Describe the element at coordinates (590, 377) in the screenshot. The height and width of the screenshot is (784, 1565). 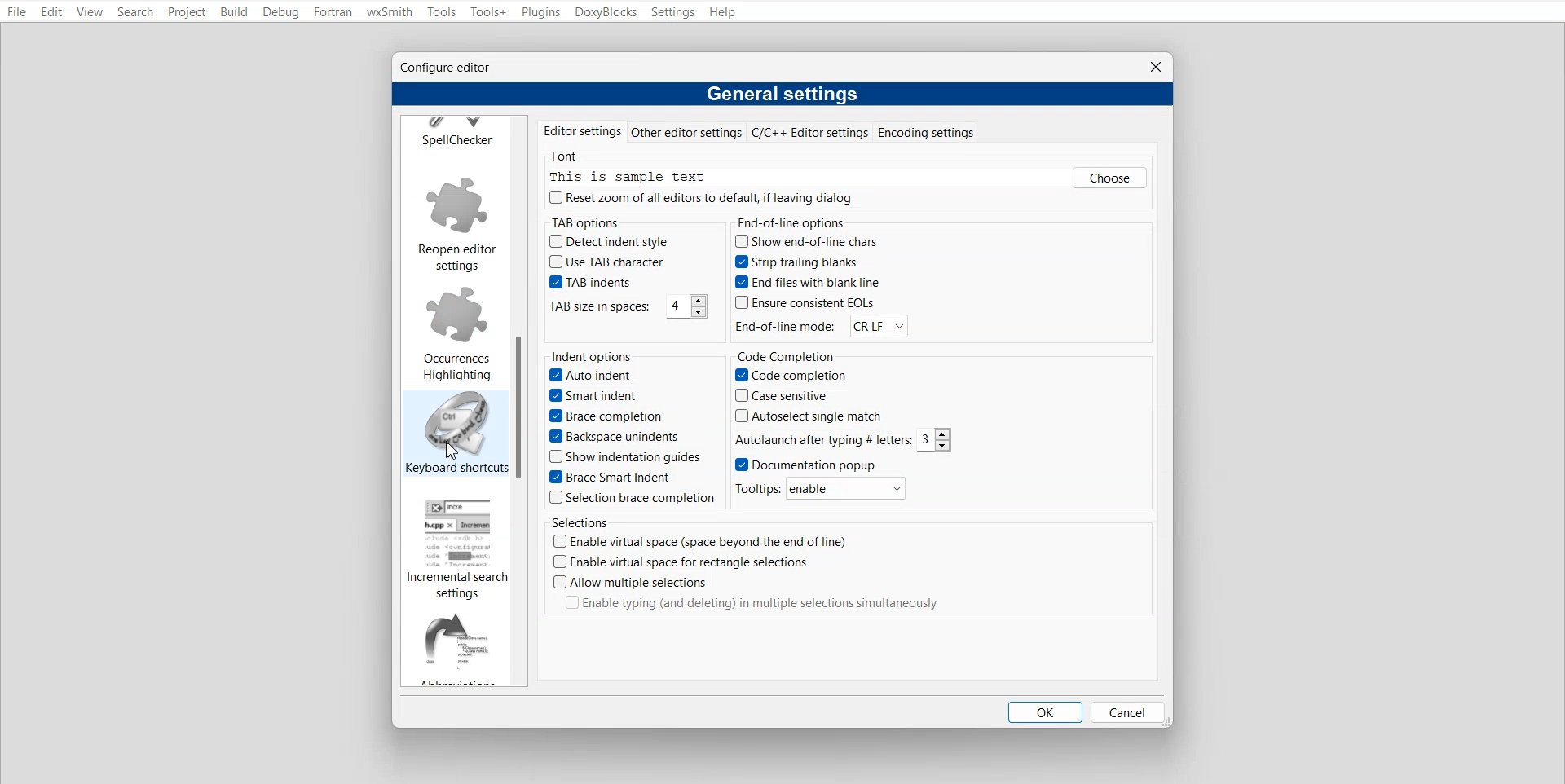
I see `Auto indent` at that location.